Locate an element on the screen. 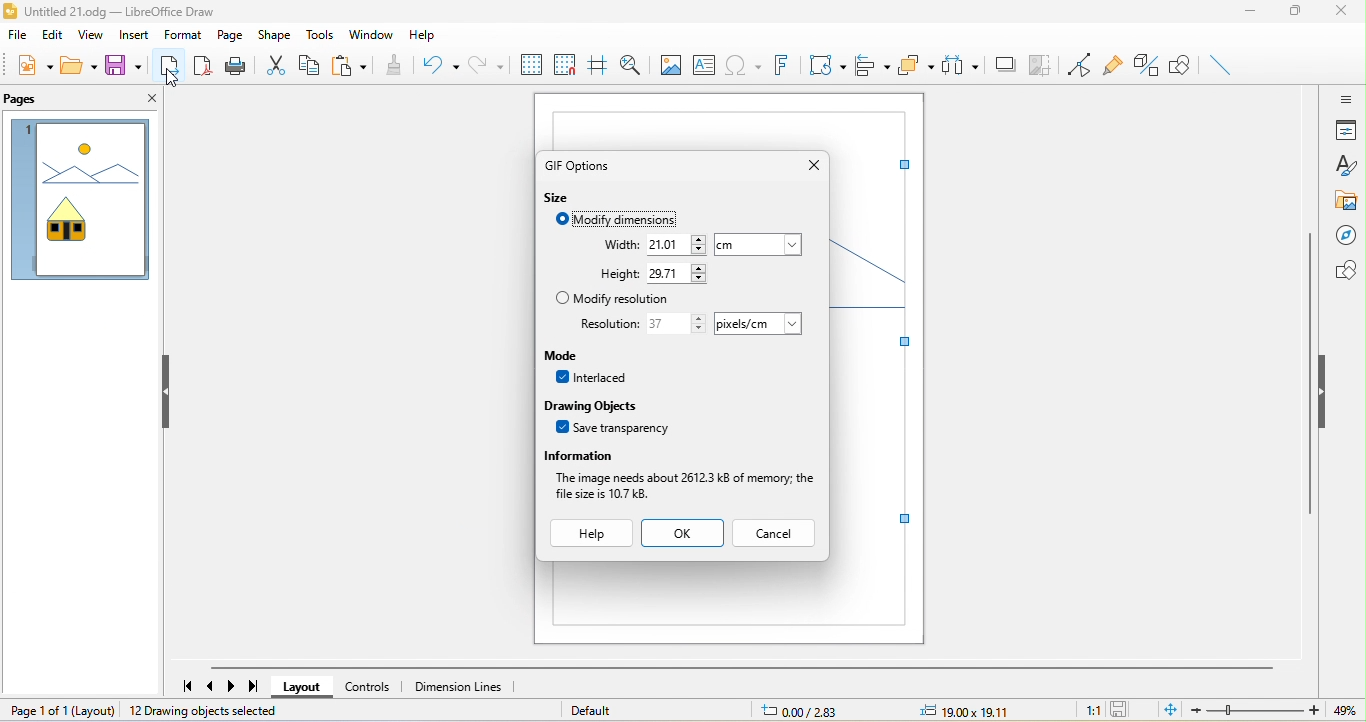 The image size is (1366, 722). snap to grid is located at coordinates (567, 64).